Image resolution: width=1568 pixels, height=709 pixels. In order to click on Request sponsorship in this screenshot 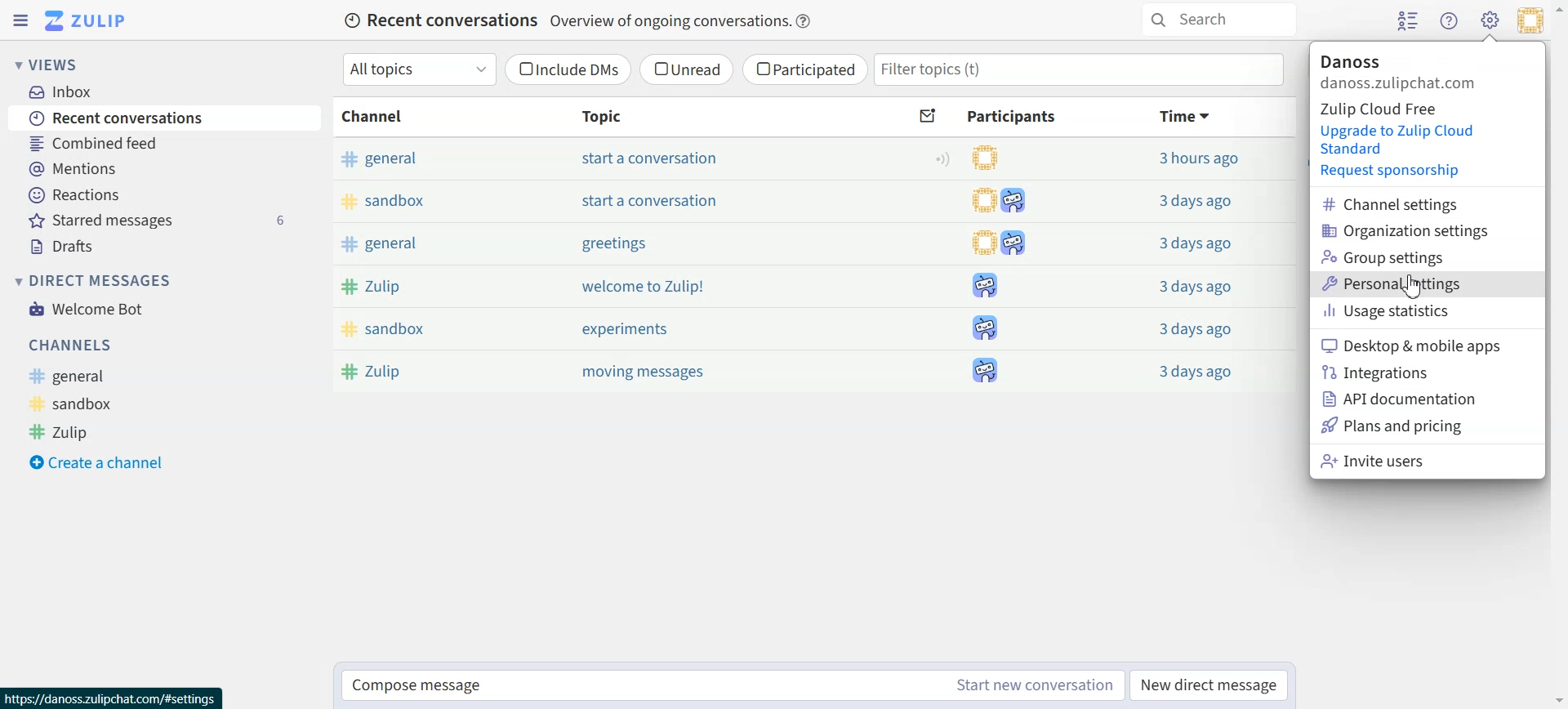, I will do `click(1394, 173)`.